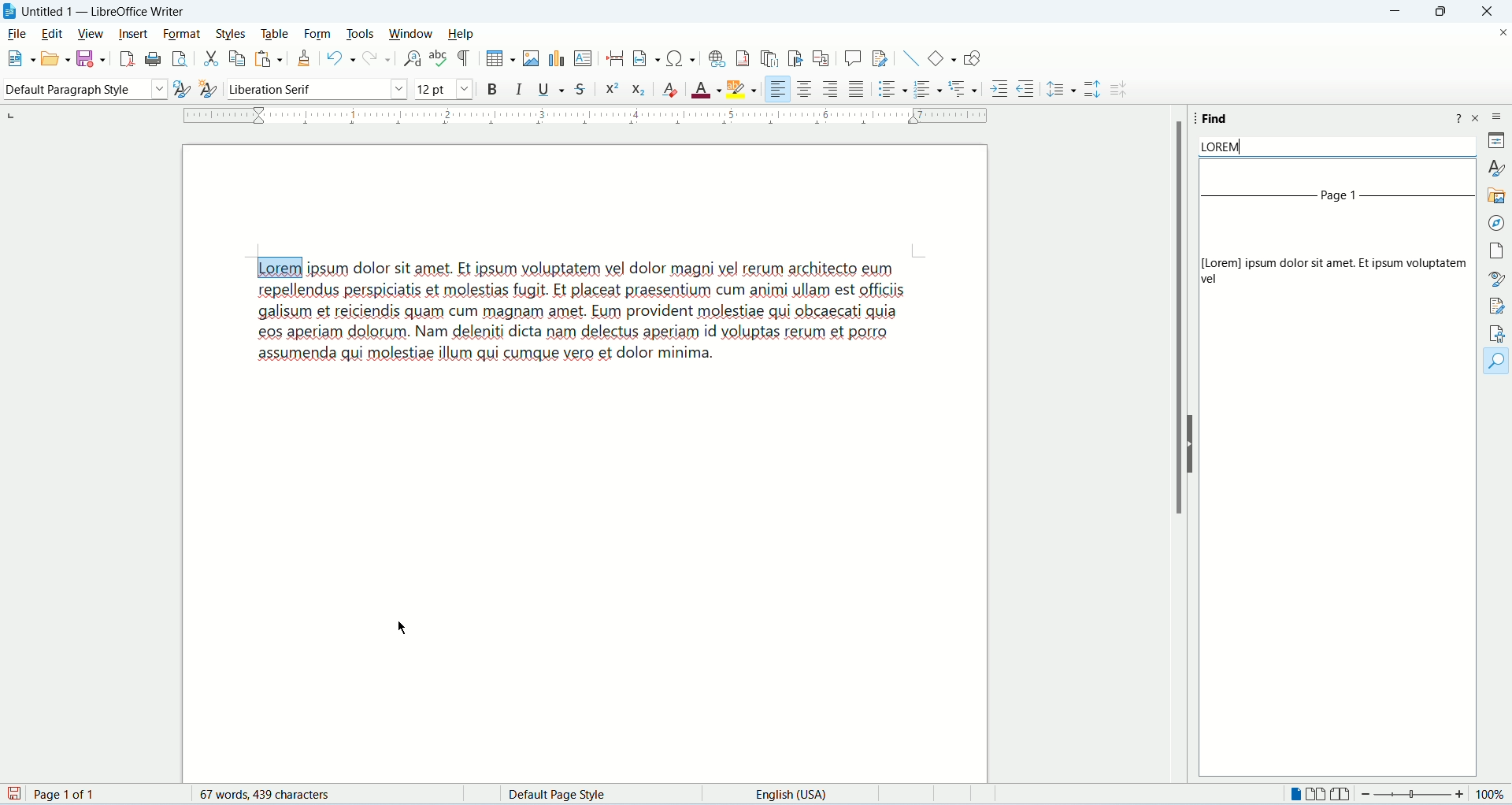 This screenshot has height=805, width=1512. What do you see at coordinates (1467, 473) in the screenshot?
I see `vertical scroll bar` at bounding box center [1467, 473].